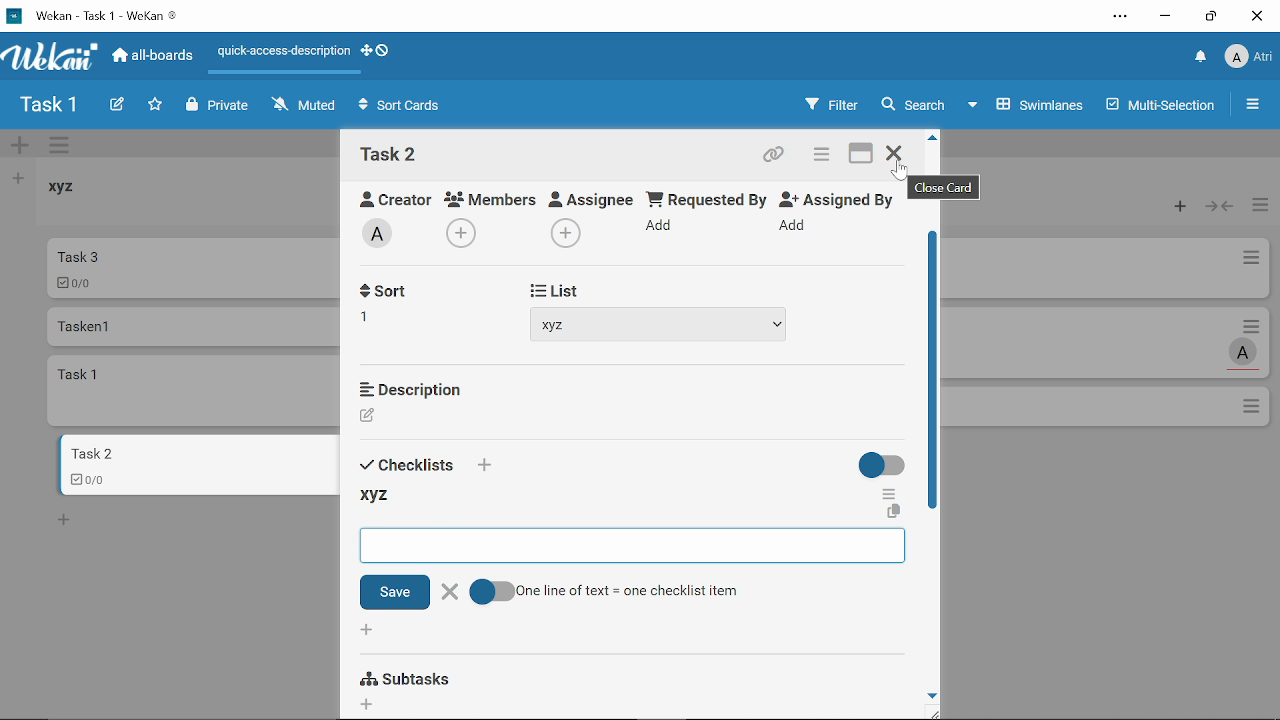  What do you see at coordinates (1211, 16) in the screenshot?
I see `Restore down` at bounding box center [1211, 16].